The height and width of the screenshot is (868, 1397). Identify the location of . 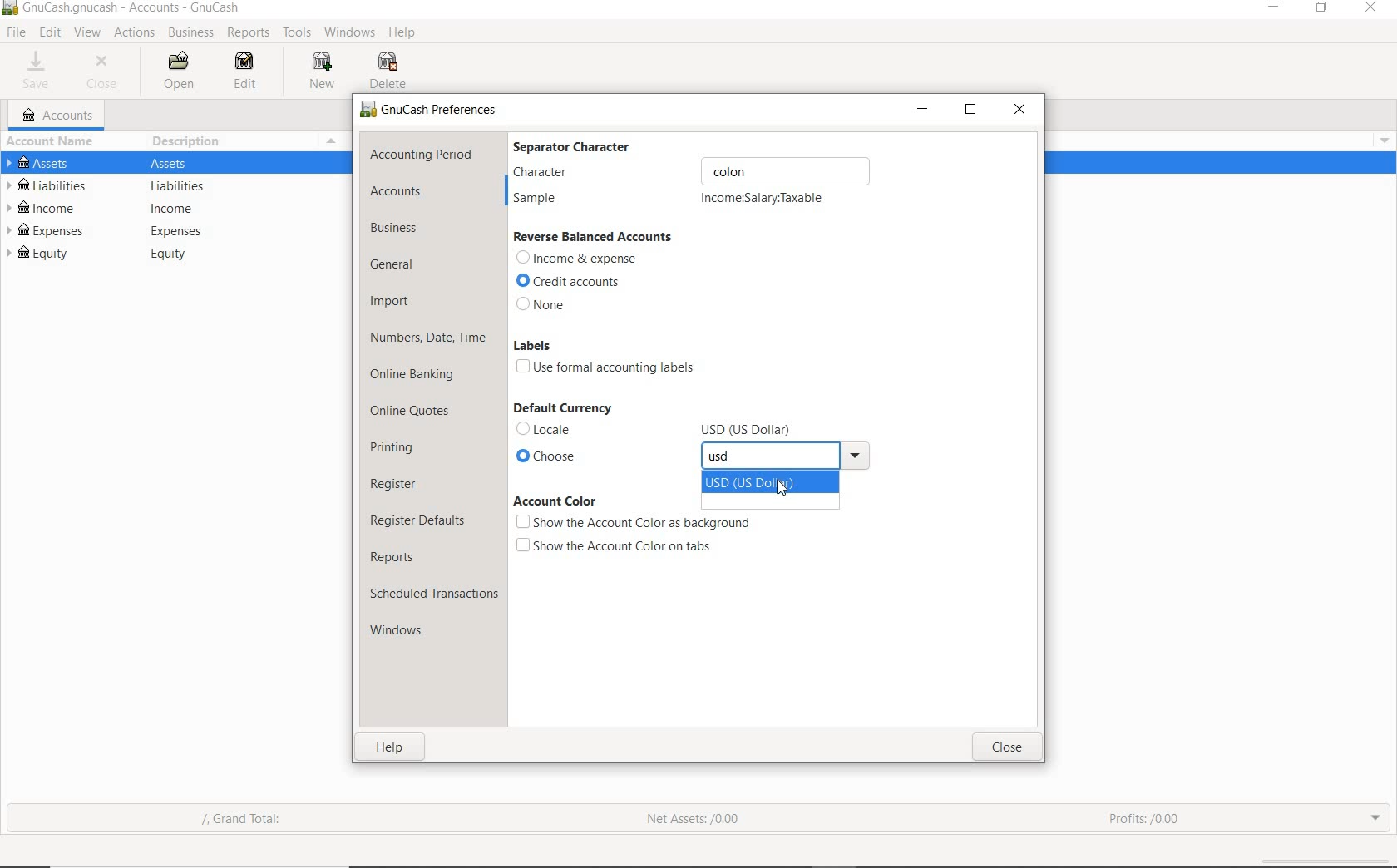
(858, 457).